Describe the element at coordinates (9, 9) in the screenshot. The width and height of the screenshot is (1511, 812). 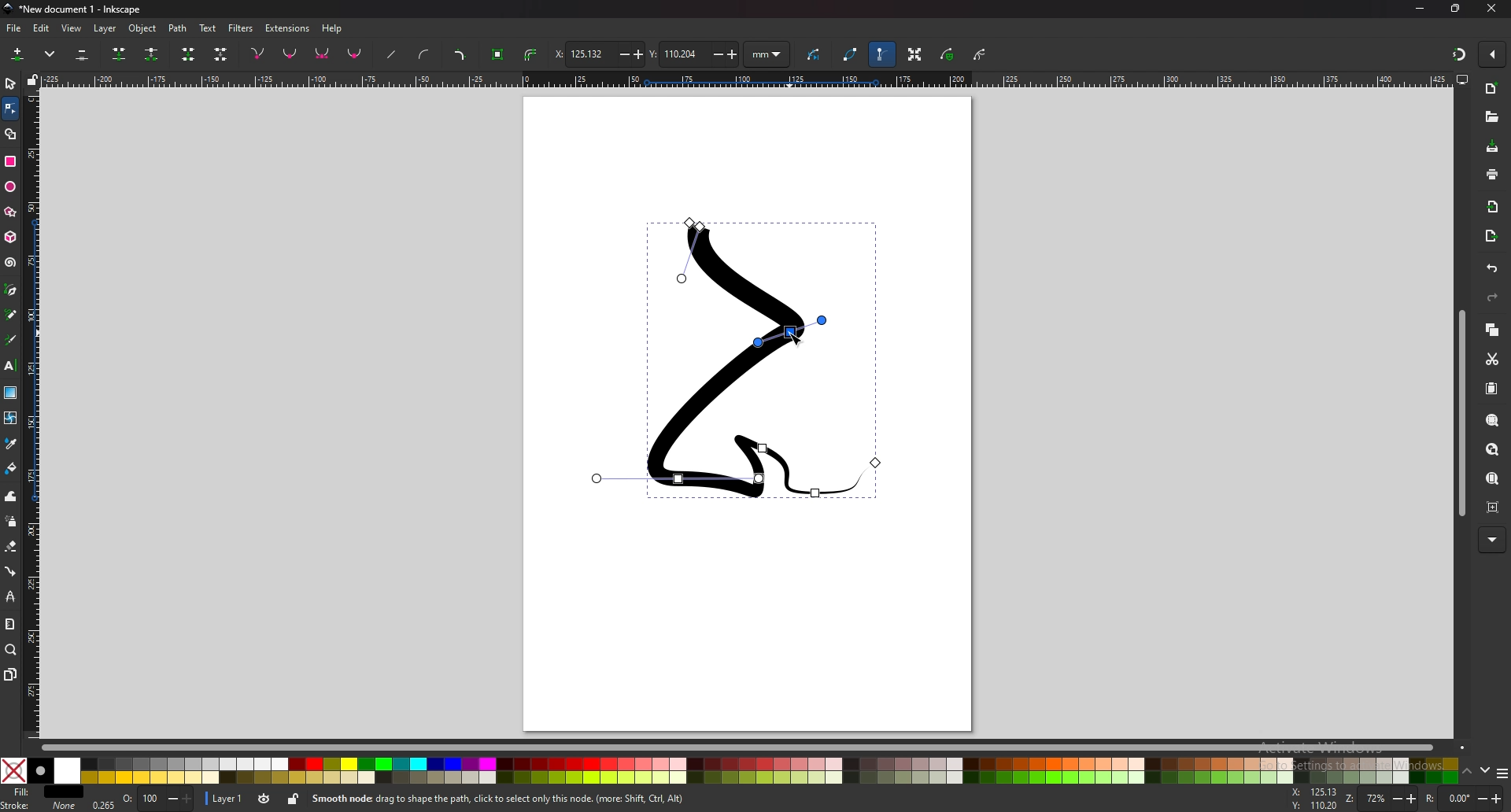
I see `logo` at that location.